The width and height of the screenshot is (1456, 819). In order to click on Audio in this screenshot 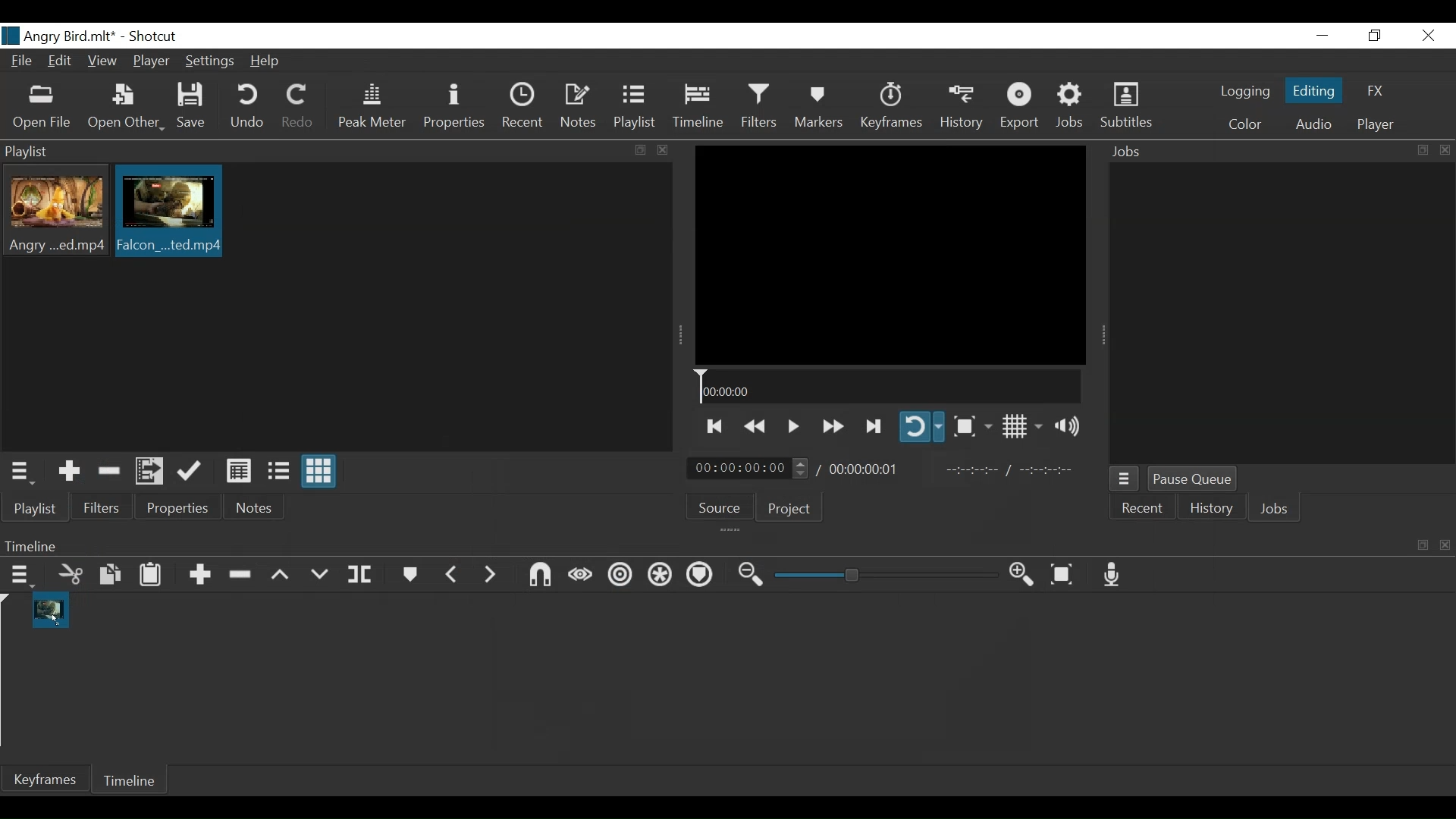, I will do `click(1313, 126)`.